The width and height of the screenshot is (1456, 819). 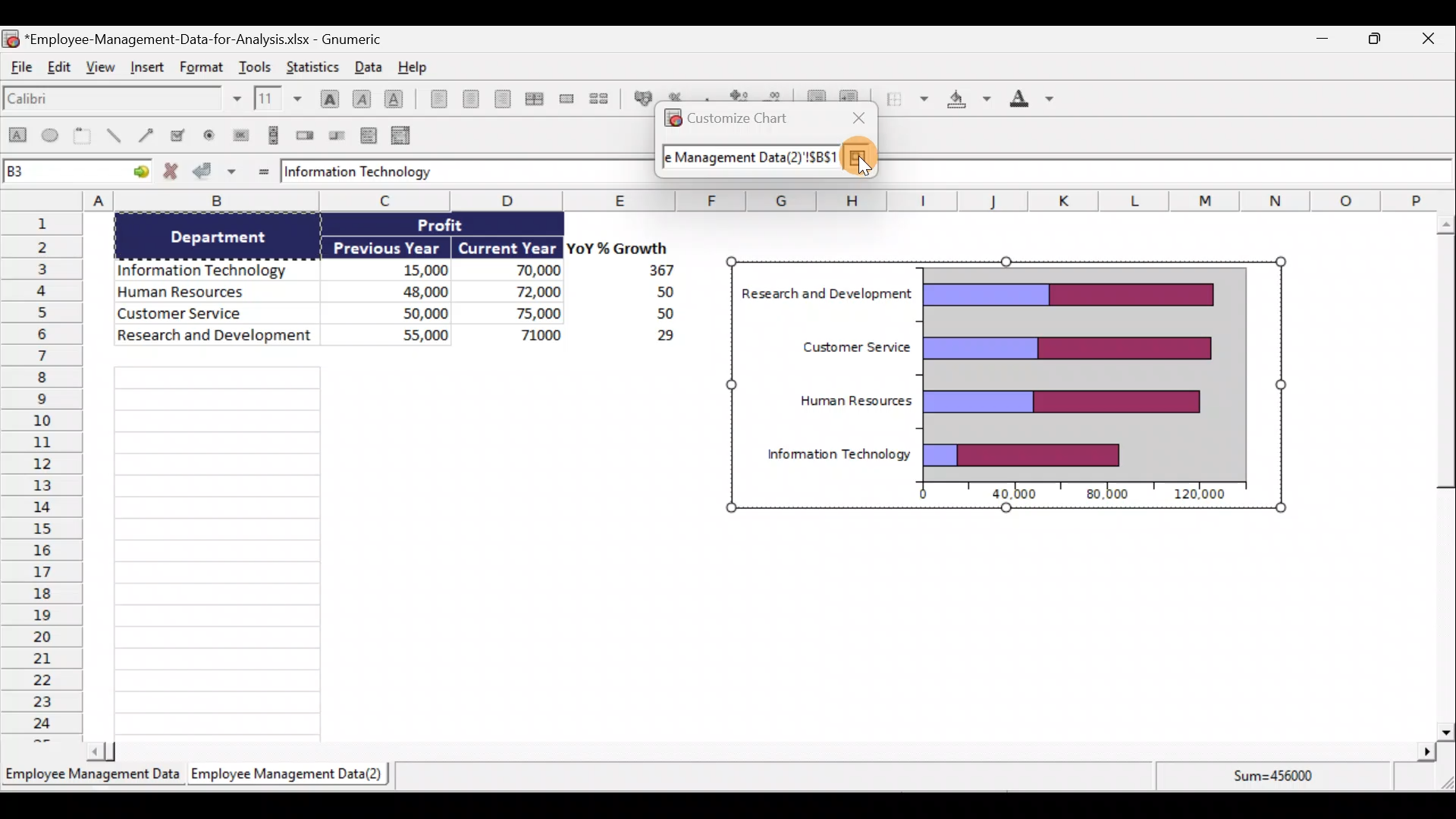 I want to click on Sheet 2, so click(x=290, y=774).